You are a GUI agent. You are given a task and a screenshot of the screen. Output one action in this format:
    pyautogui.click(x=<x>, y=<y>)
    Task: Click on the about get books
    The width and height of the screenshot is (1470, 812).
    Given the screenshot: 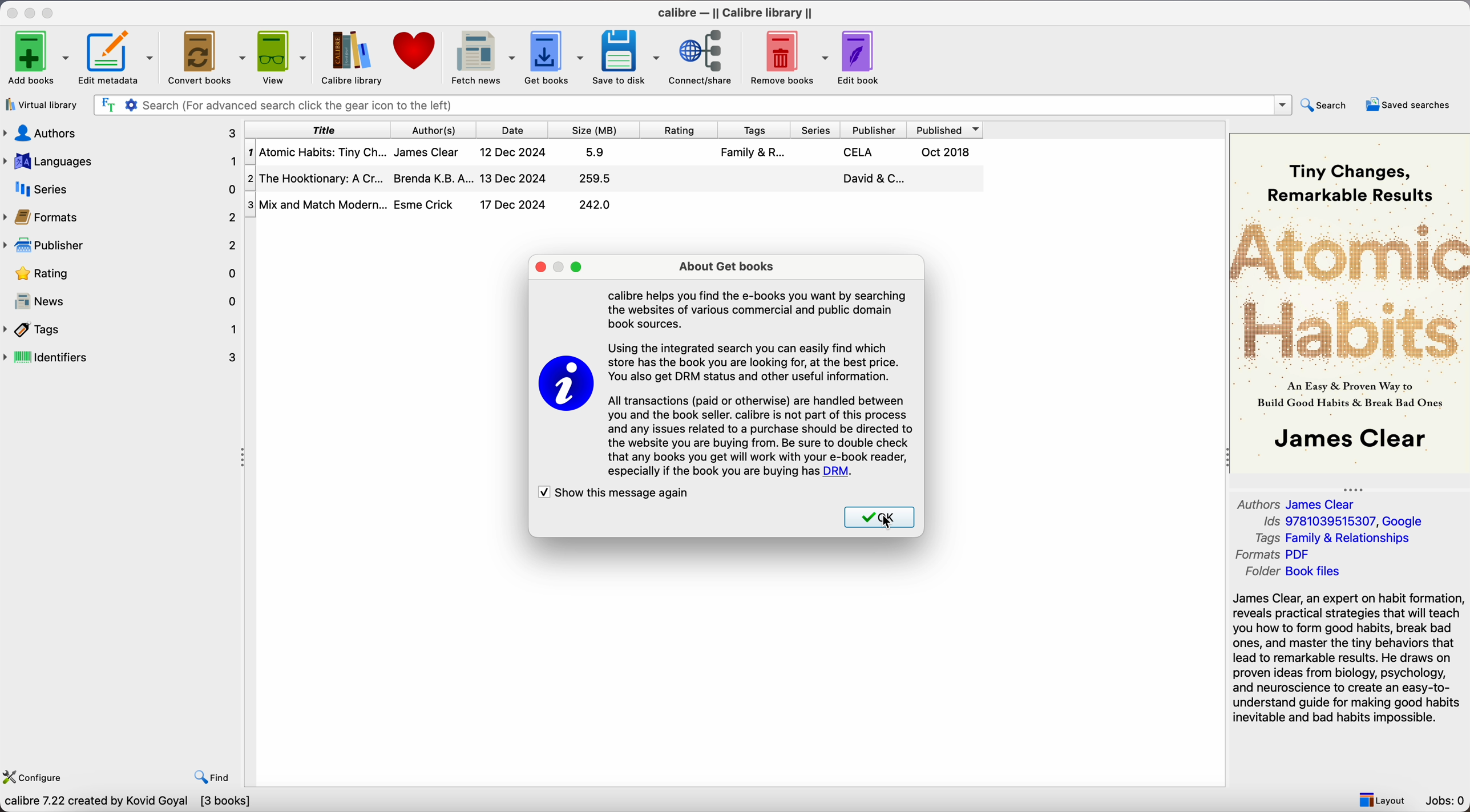 What is the action you would take?
    pyautogui.click(x=726, y=267)
    